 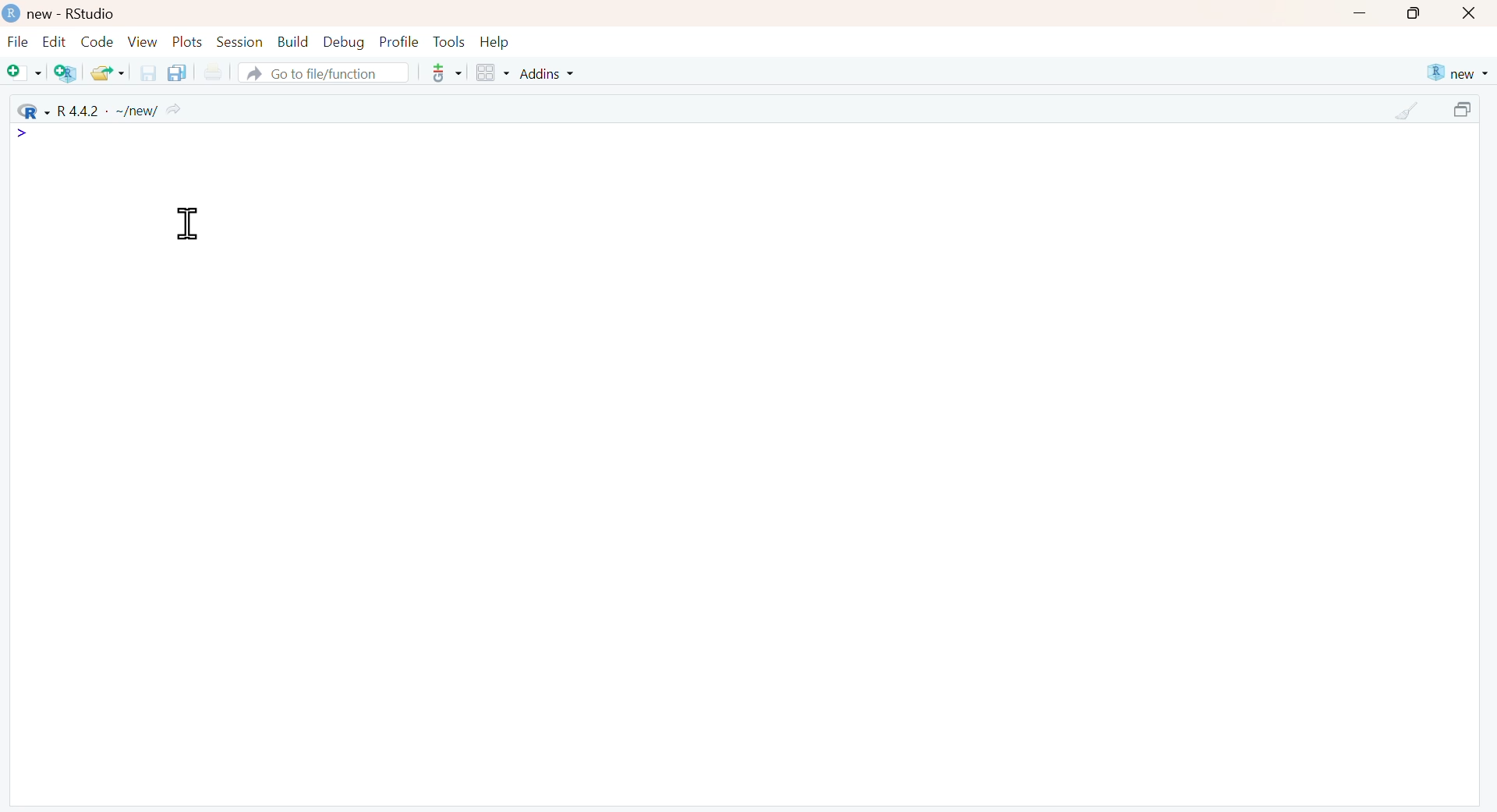 What do you see at coordinates (1469, 14) in the screenshot?
I see `close` at bounding box center [1469, 14].